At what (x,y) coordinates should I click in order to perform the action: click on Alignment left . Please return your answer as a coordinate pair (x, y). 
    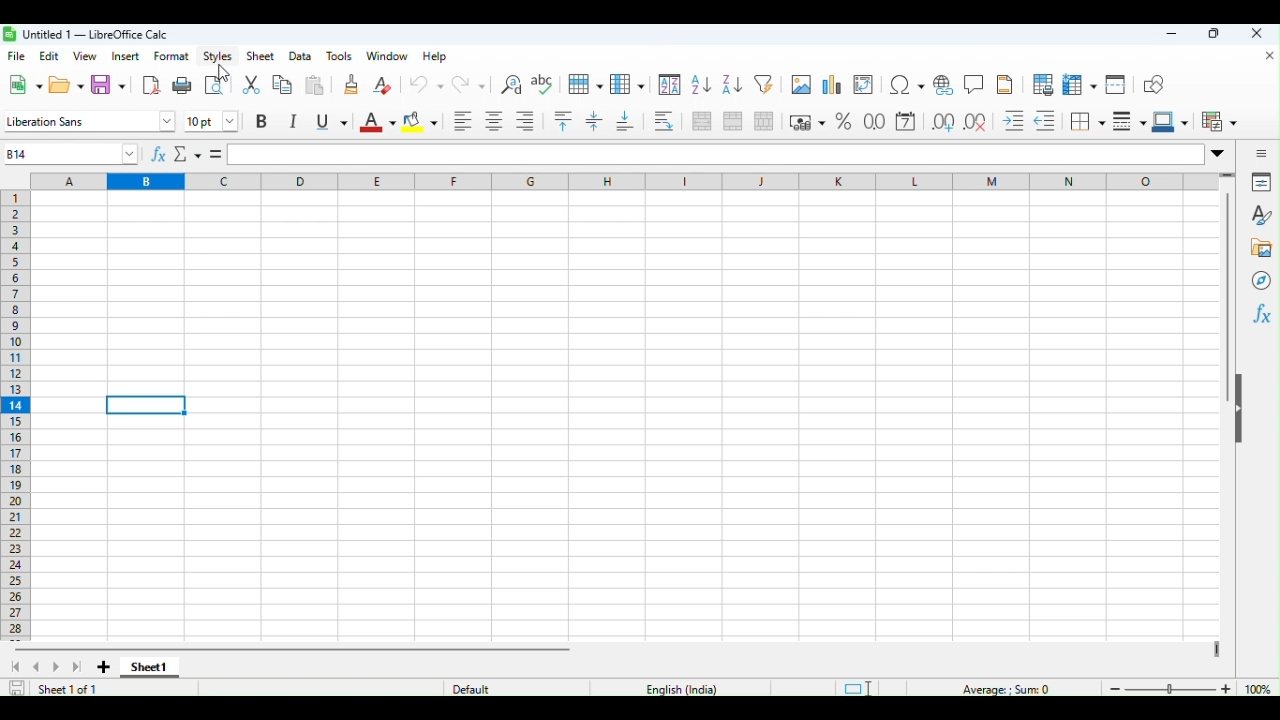
    Looking at the image, I should click on (460, 122).